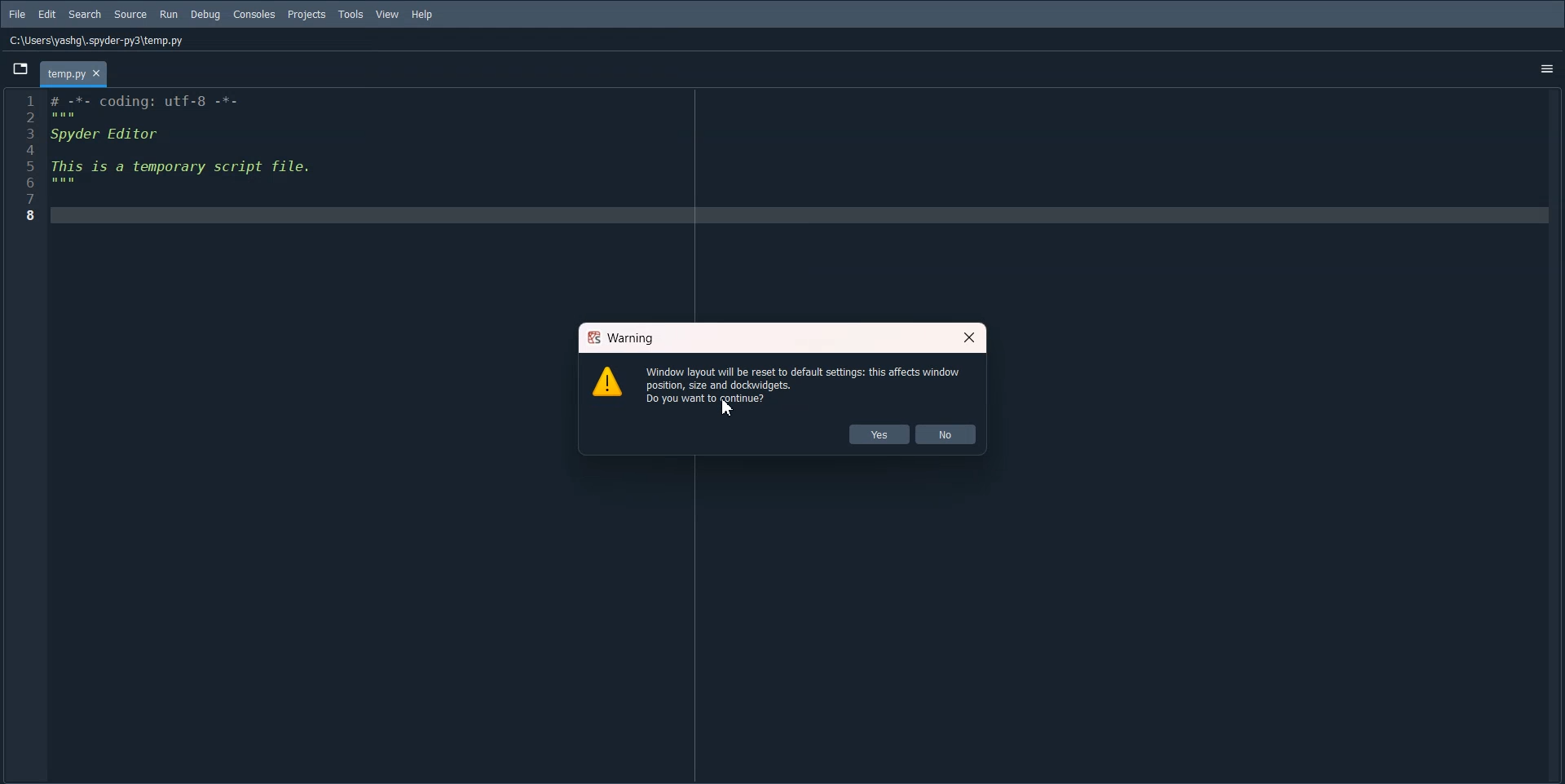 The height and width of the screenshot is (784, 1565). What do you see at coordinates (205, 15) in the screenshot?
I see `Debug` at bounding box center [205, 15].